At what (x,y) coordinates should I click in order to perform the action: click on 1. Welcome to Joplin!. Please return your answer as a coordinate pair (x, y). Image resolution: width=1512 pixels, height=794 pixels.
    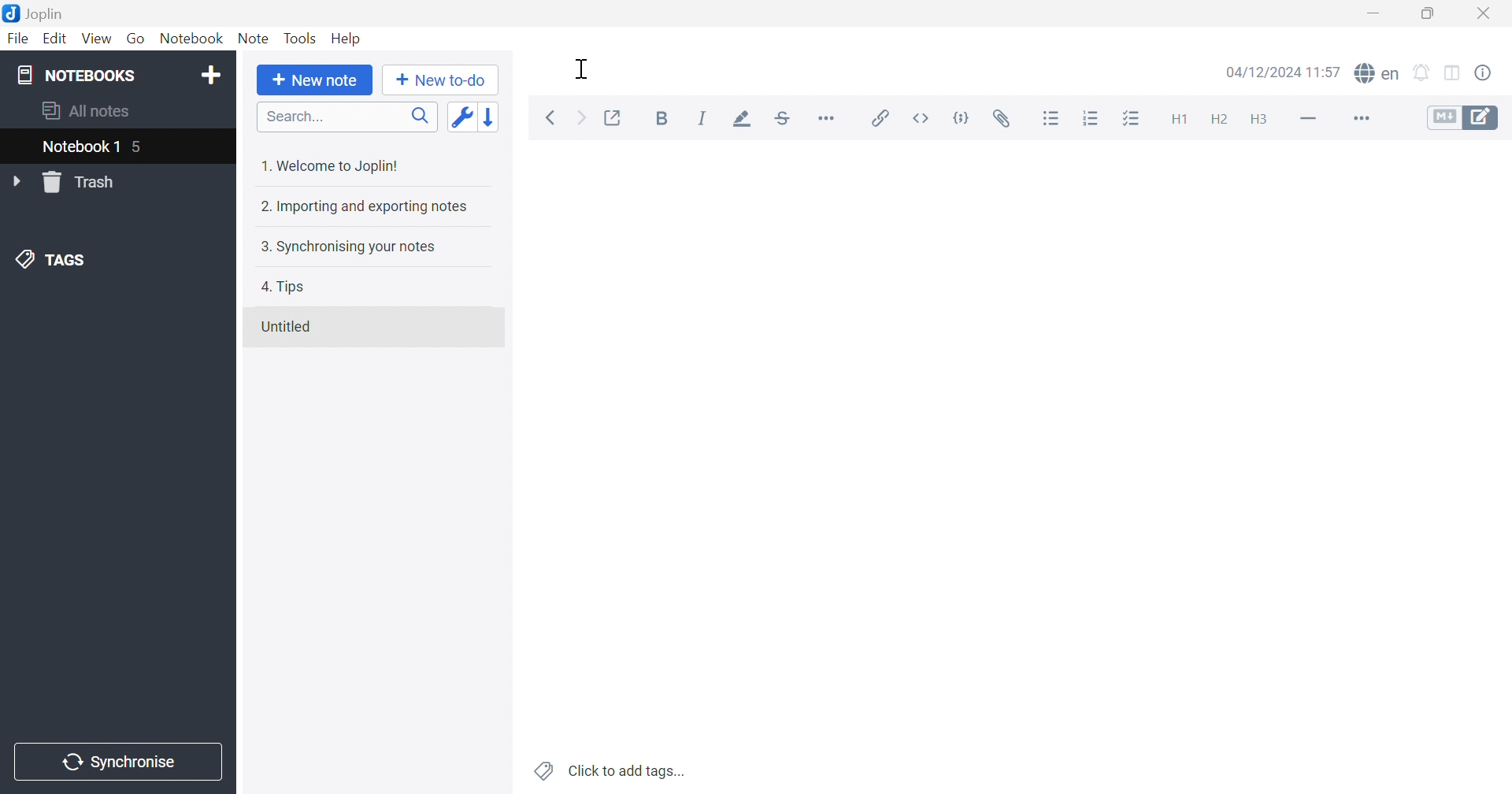
    Looking at the image, I should click on (329, 167).